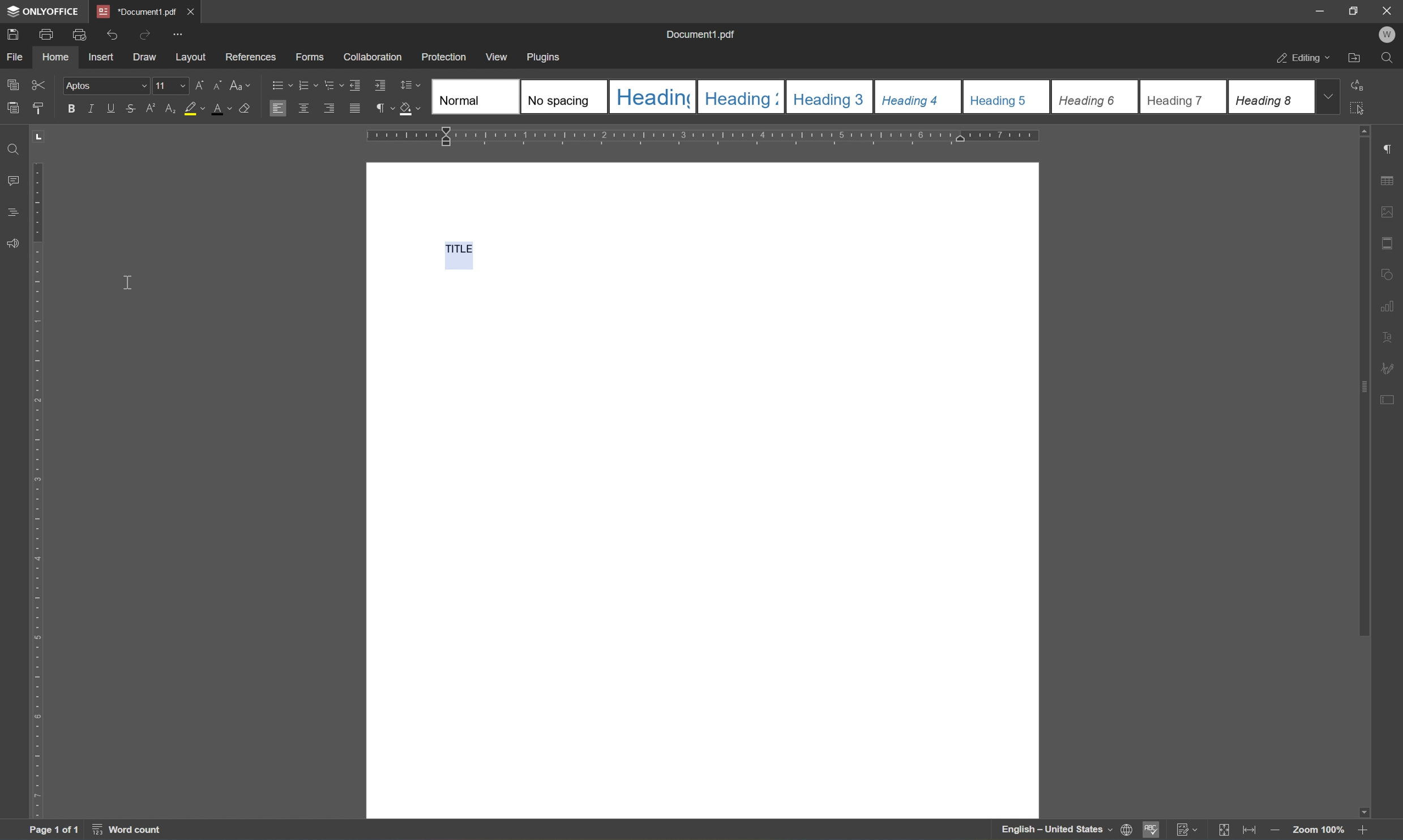 This screenshot has height=840, width=1403. Describe the element at coordinates (109, 110) in the screenshot. I see `underline` at that location.